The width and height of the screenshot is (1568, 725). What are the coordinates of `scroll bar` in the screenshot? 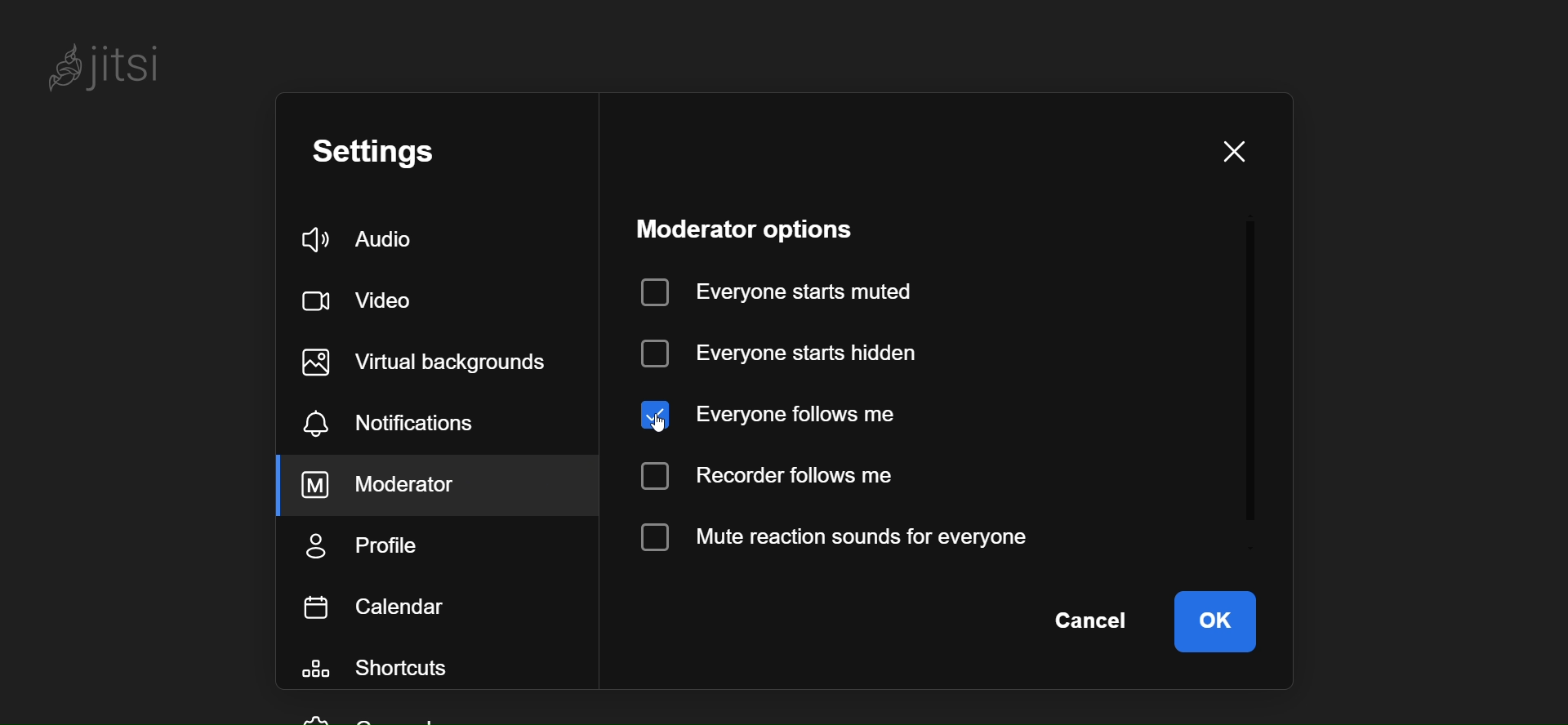 It's located at (1252, 389).